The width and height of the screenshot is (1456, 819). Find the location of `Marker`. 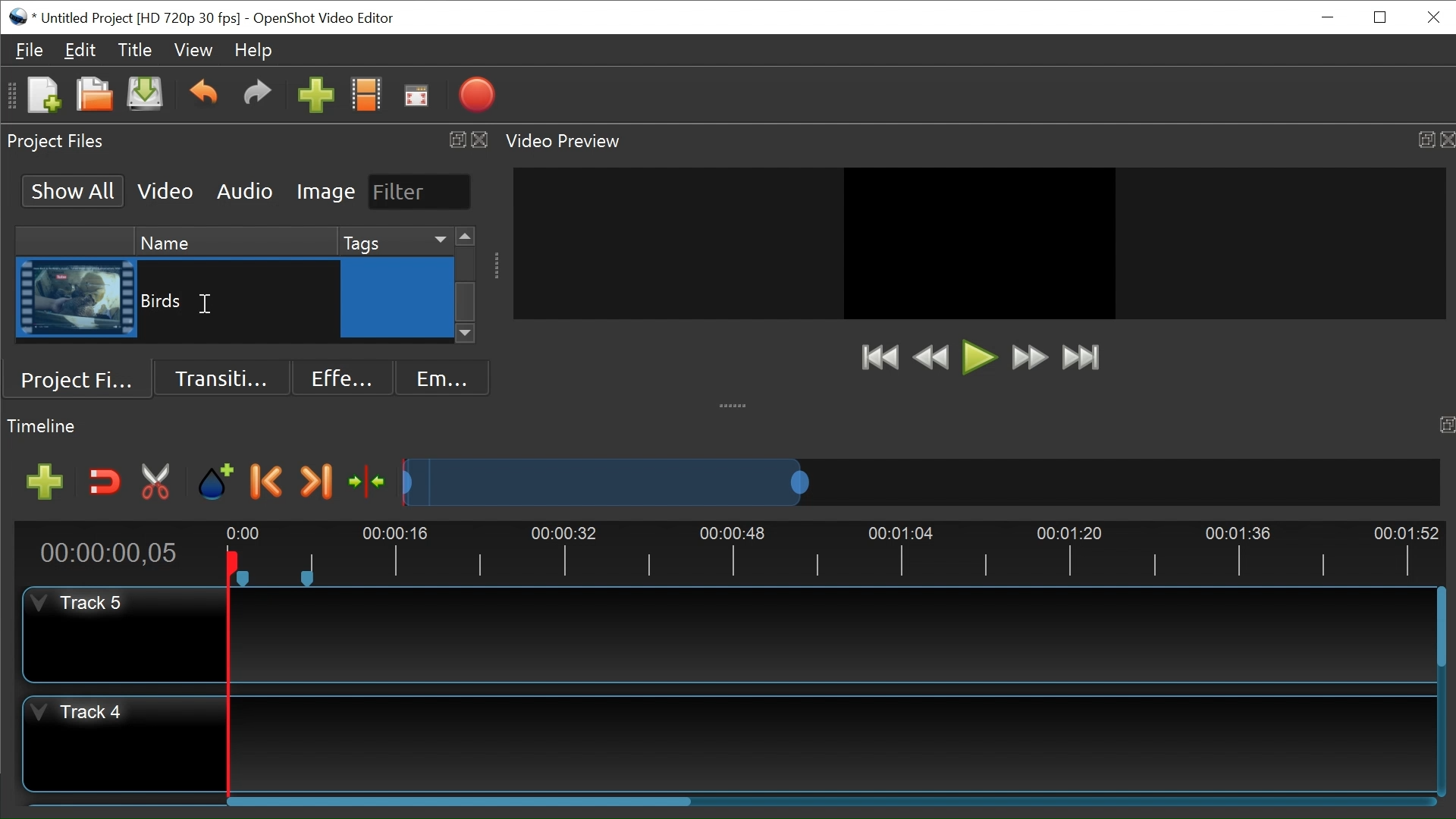

Marker is located at coordinates (217, 482).